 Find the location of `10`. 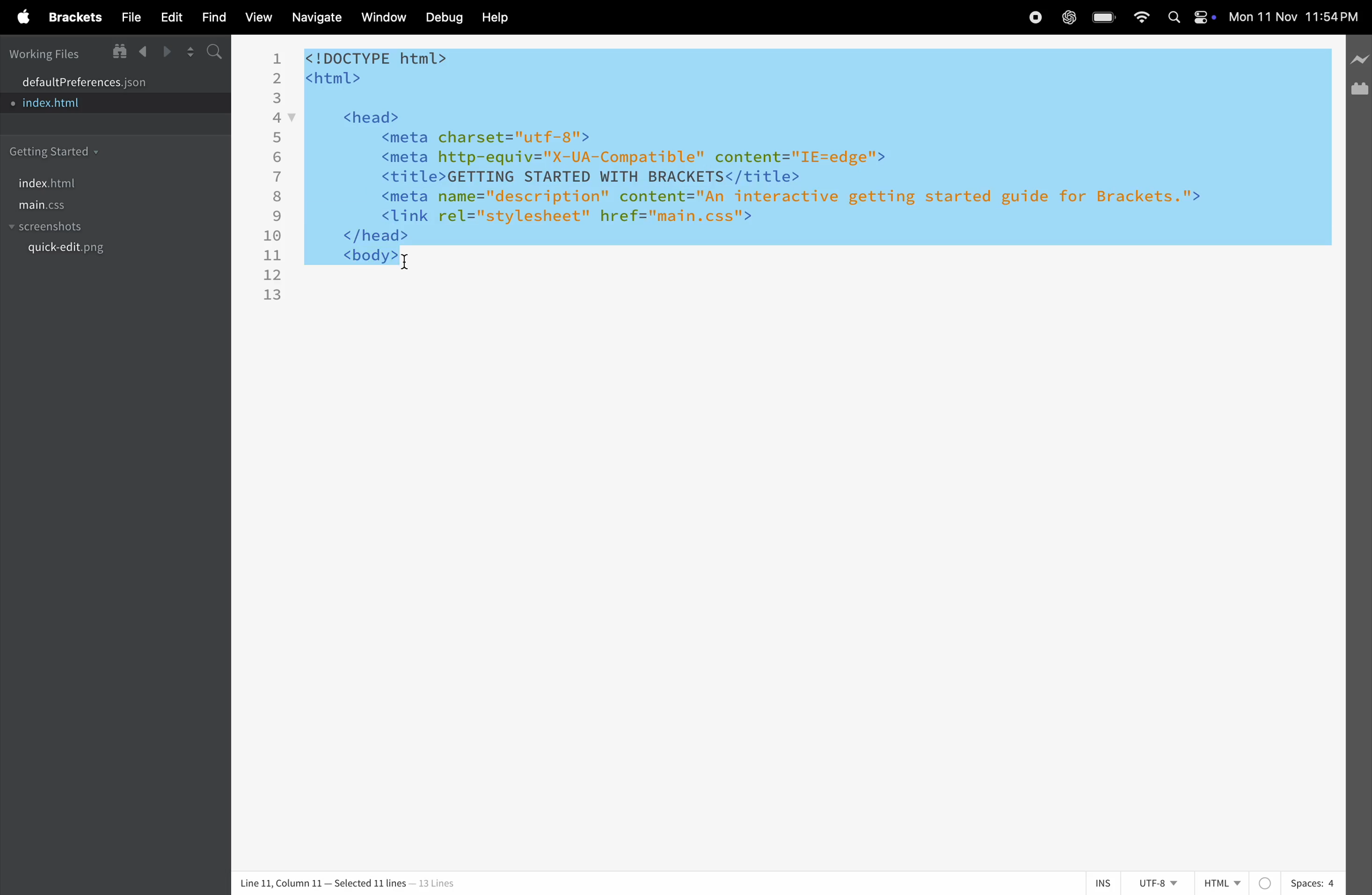

10 is located at coordinates (273, 236).